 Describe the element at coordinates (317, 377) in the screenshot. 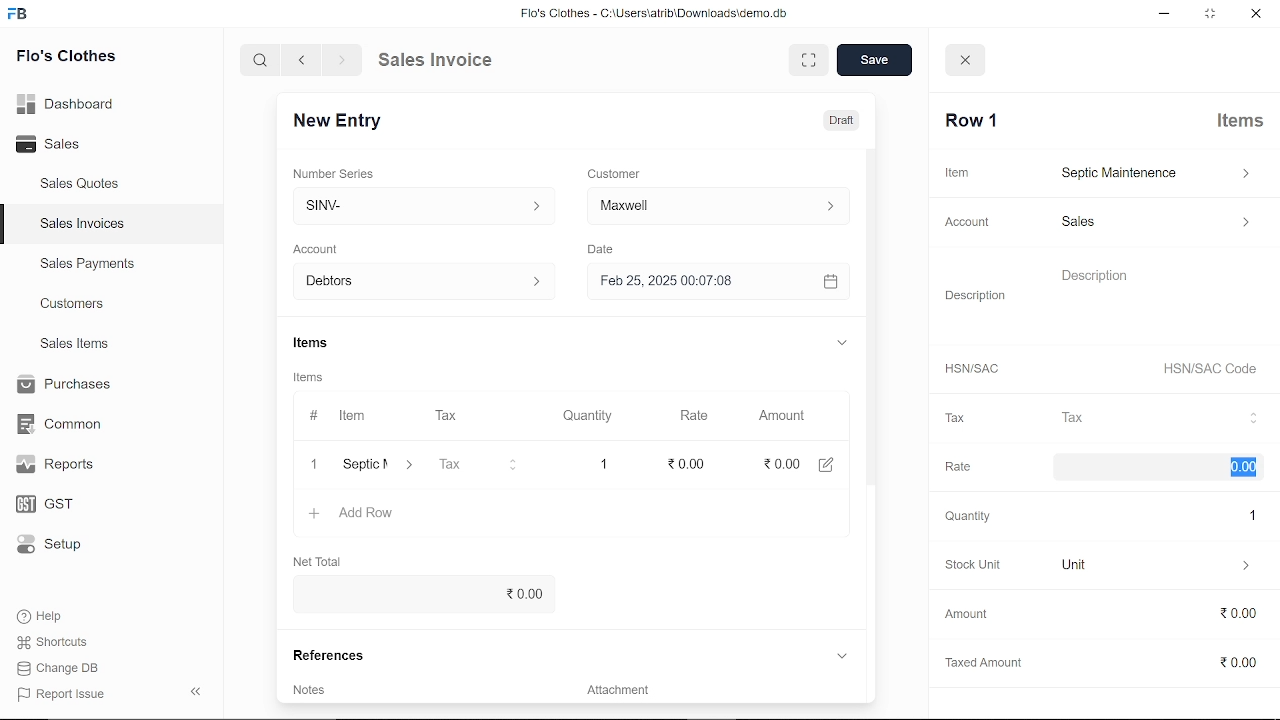

I see `Items` at that location.